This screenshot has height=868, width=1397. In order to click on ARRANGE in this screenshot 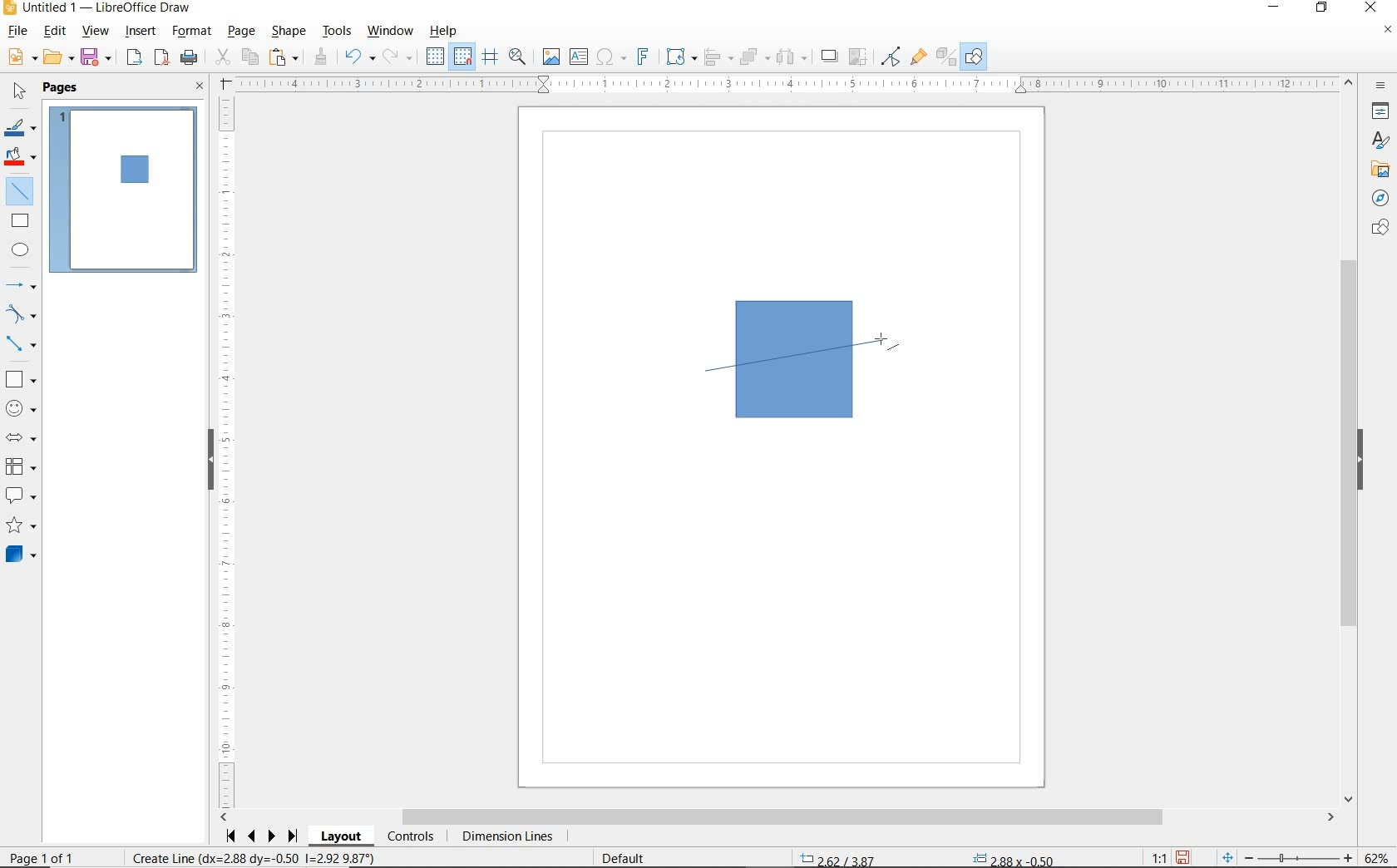, I will do `click(755, 56)`.